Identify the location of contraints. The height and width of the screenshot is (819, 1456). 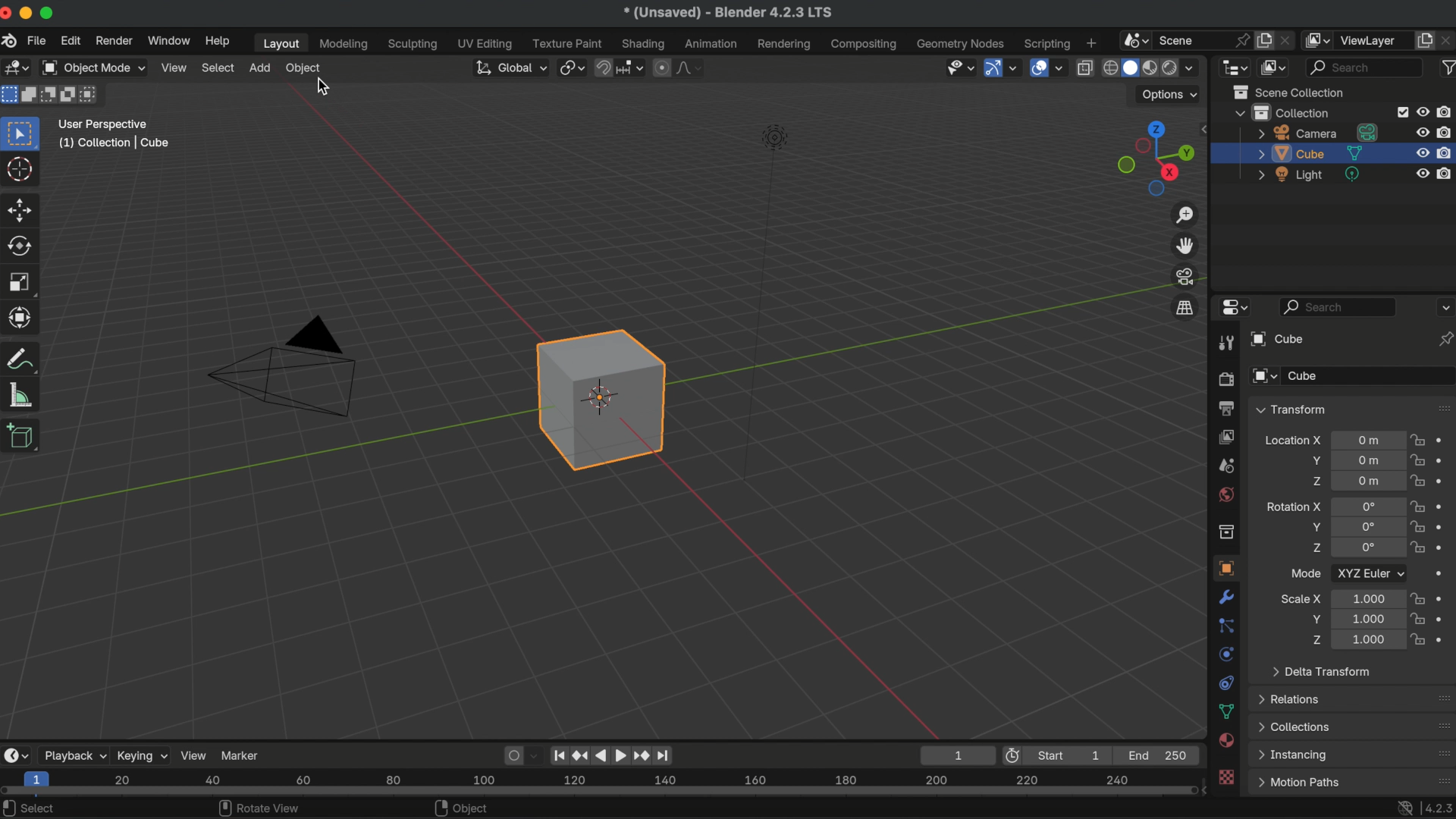
(1225, 681).